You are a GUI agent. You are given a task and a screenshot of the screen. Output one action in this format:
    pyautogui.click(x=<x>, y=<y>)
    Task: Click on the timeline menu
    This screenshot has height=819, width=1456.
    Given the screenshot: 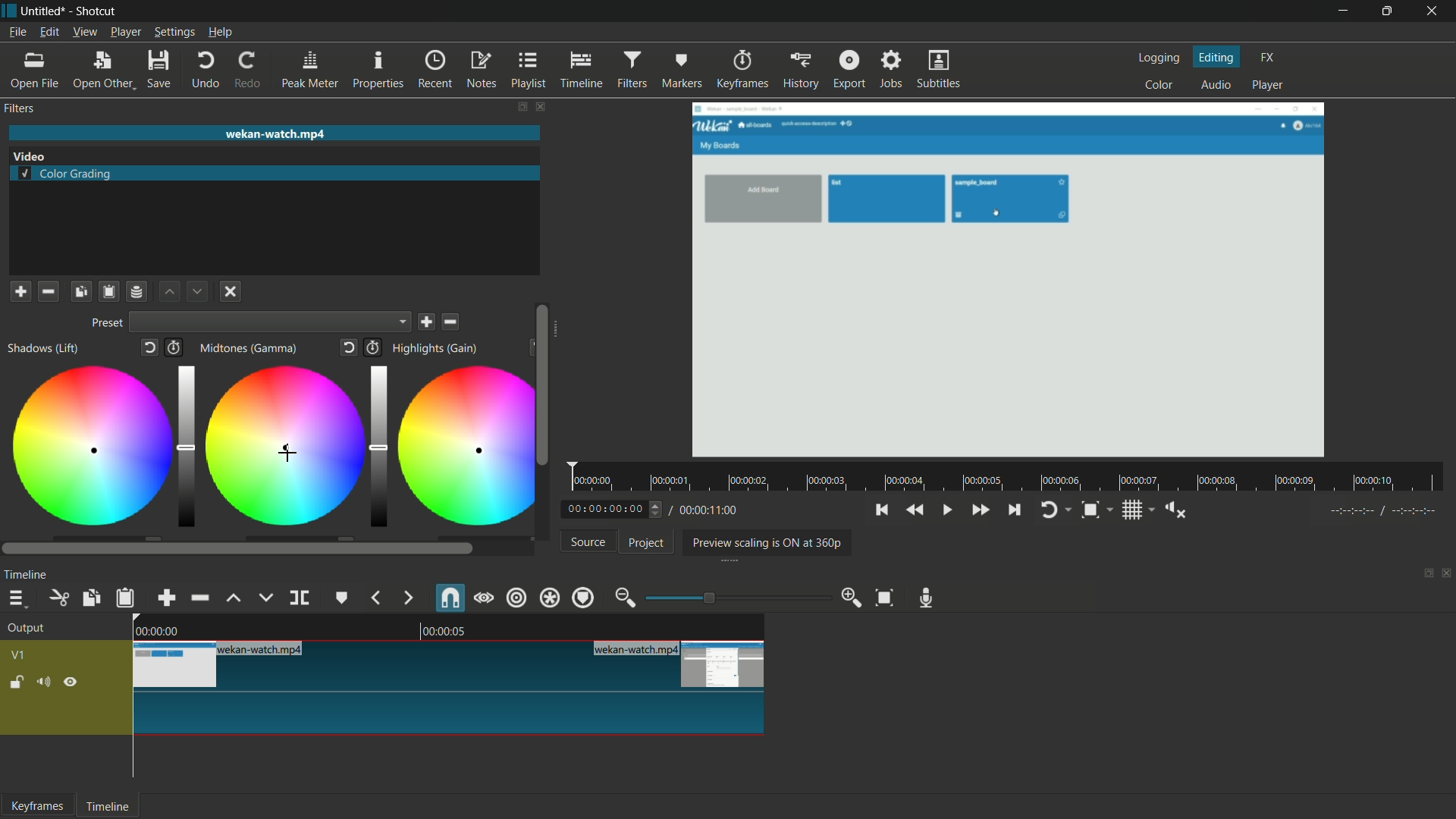 What is the action you would take?
    pyautogui.click(x=20, y=598)
    